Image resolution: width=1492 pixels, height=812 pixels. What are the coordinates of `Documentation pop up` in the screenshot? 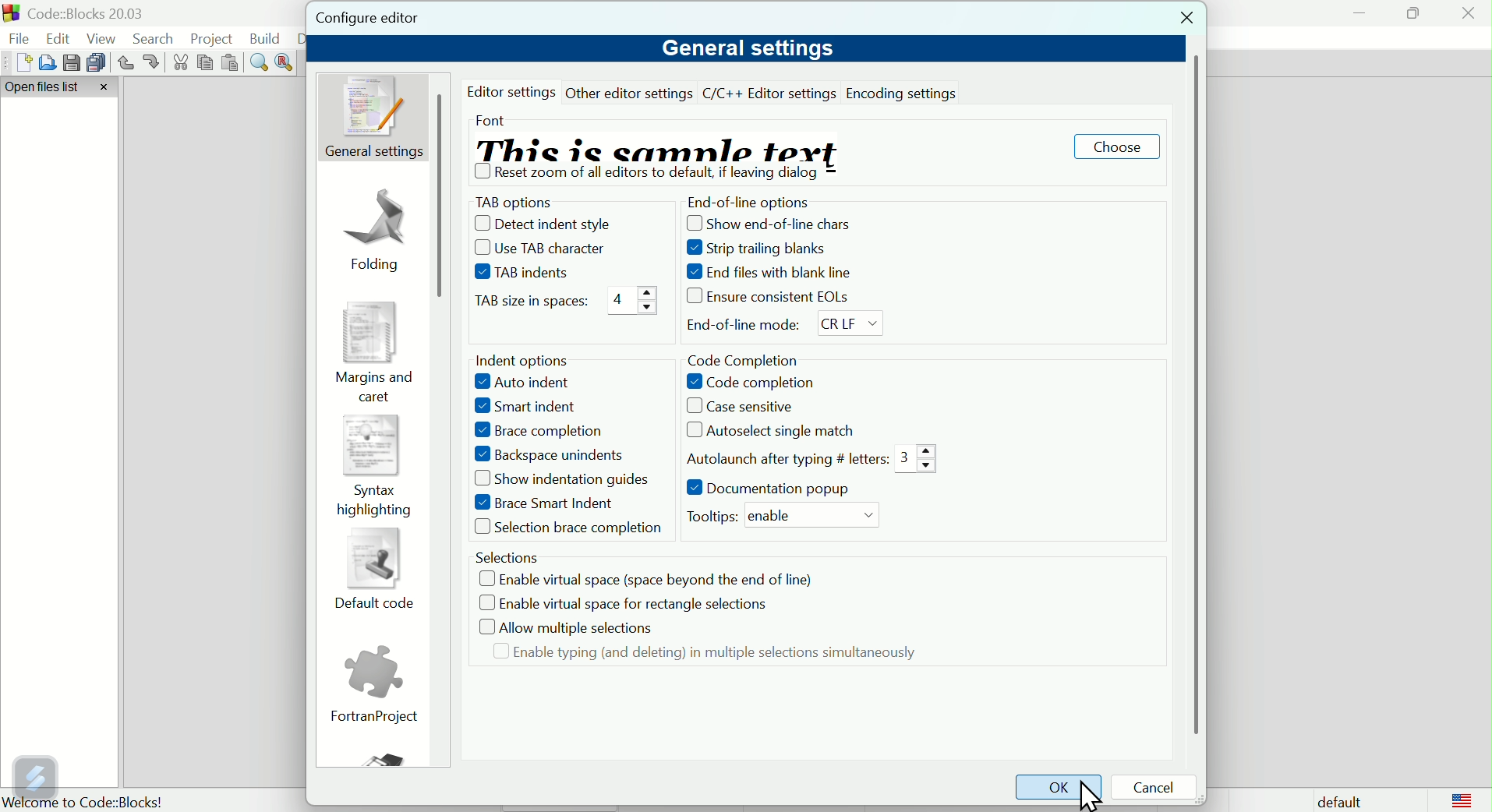 It's located at (773, 488).